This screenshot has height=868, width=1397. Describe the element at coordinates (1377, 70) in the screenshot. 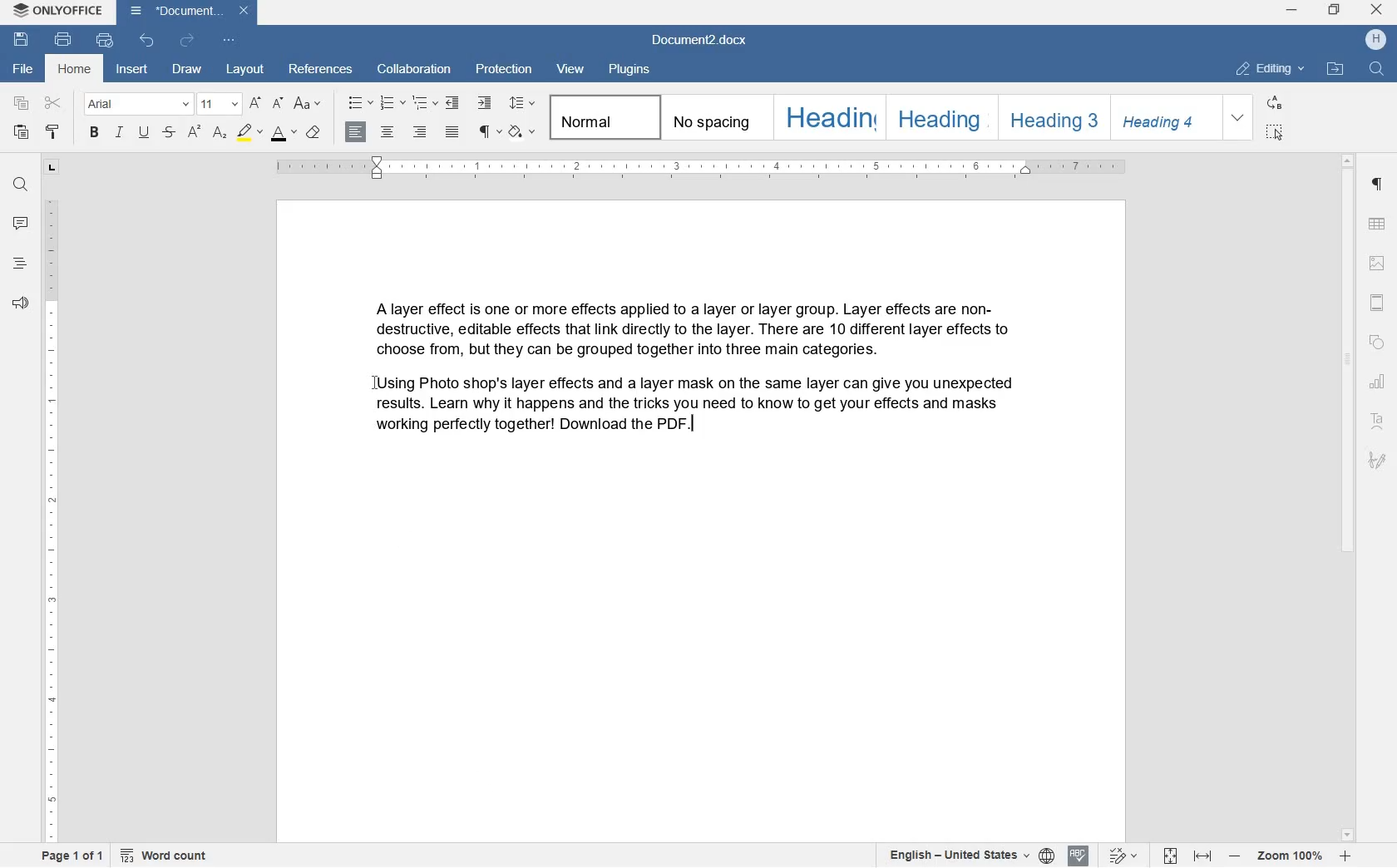

I see `FIND` at that location.